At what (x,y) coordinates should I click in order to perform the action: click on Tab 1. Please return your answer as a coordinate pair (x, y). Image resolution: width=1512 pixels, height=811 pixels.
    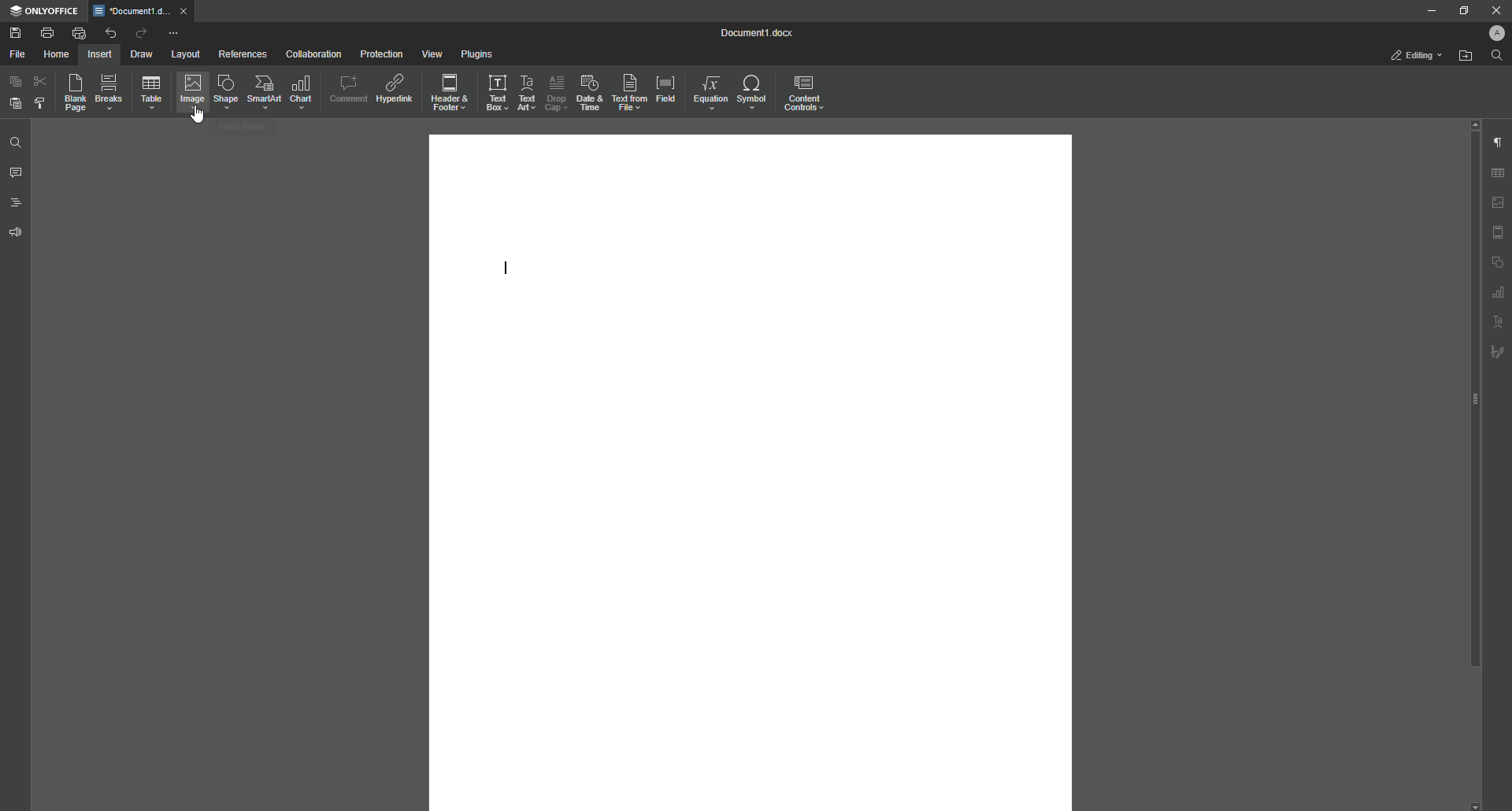
    Looking at the image, I should click on (146, 11).